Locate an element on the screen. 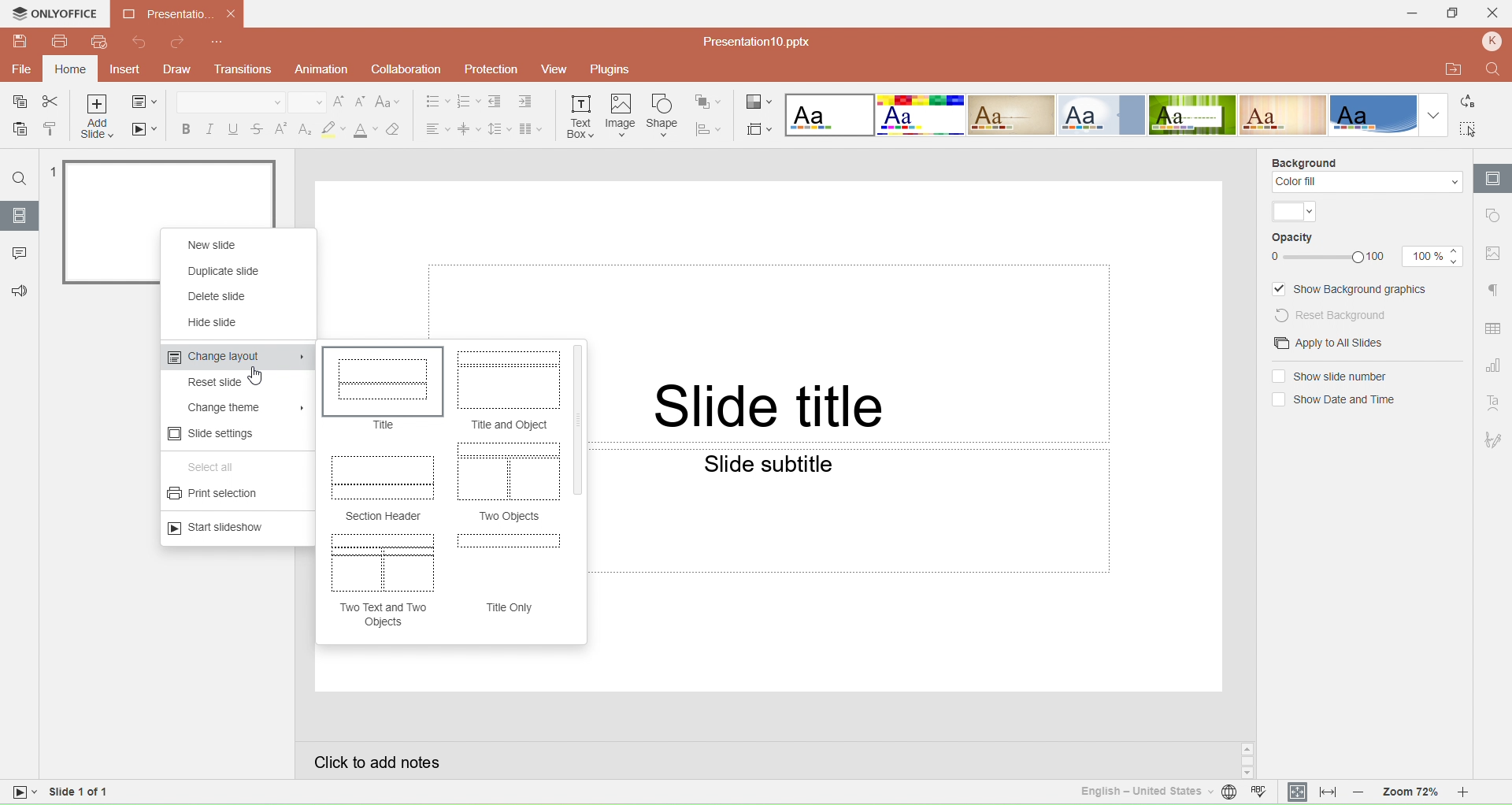 The image size is (1512, 805). Paste is located at coordinates (17, 130).